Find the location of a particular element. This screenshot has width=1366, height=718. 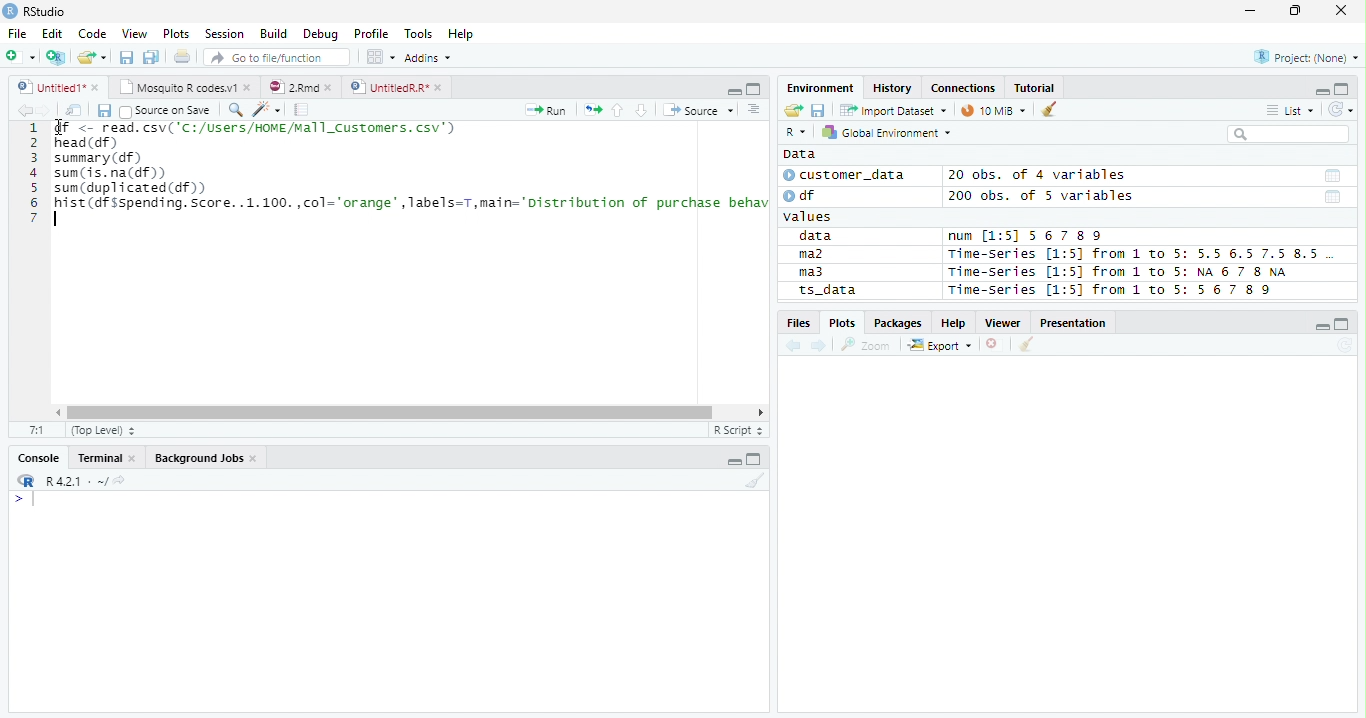

ma3 is located at coordinates (816, 272).